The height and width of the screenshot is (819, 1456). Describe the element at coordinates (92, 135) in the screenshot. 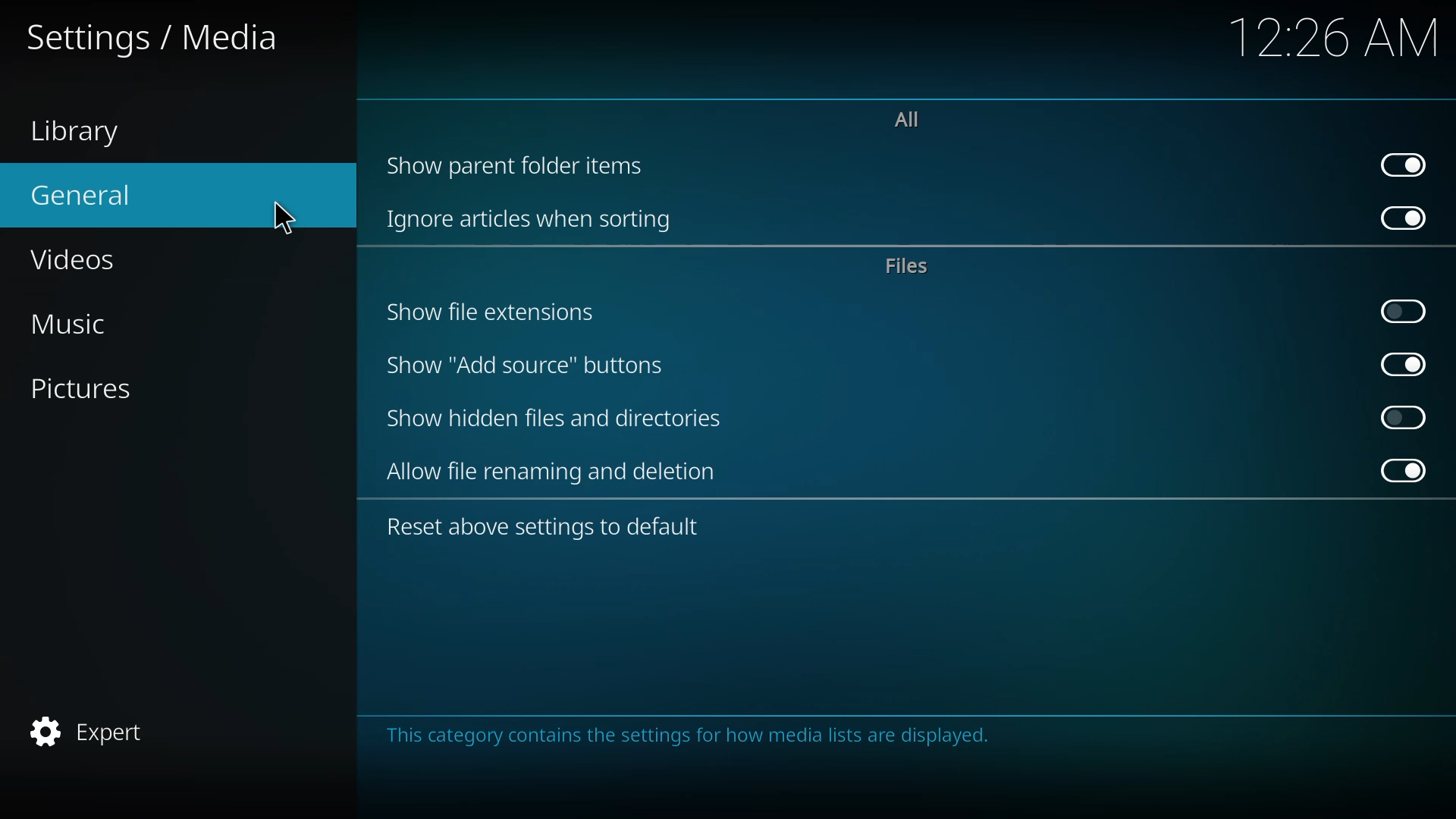

I see `library` at that location.